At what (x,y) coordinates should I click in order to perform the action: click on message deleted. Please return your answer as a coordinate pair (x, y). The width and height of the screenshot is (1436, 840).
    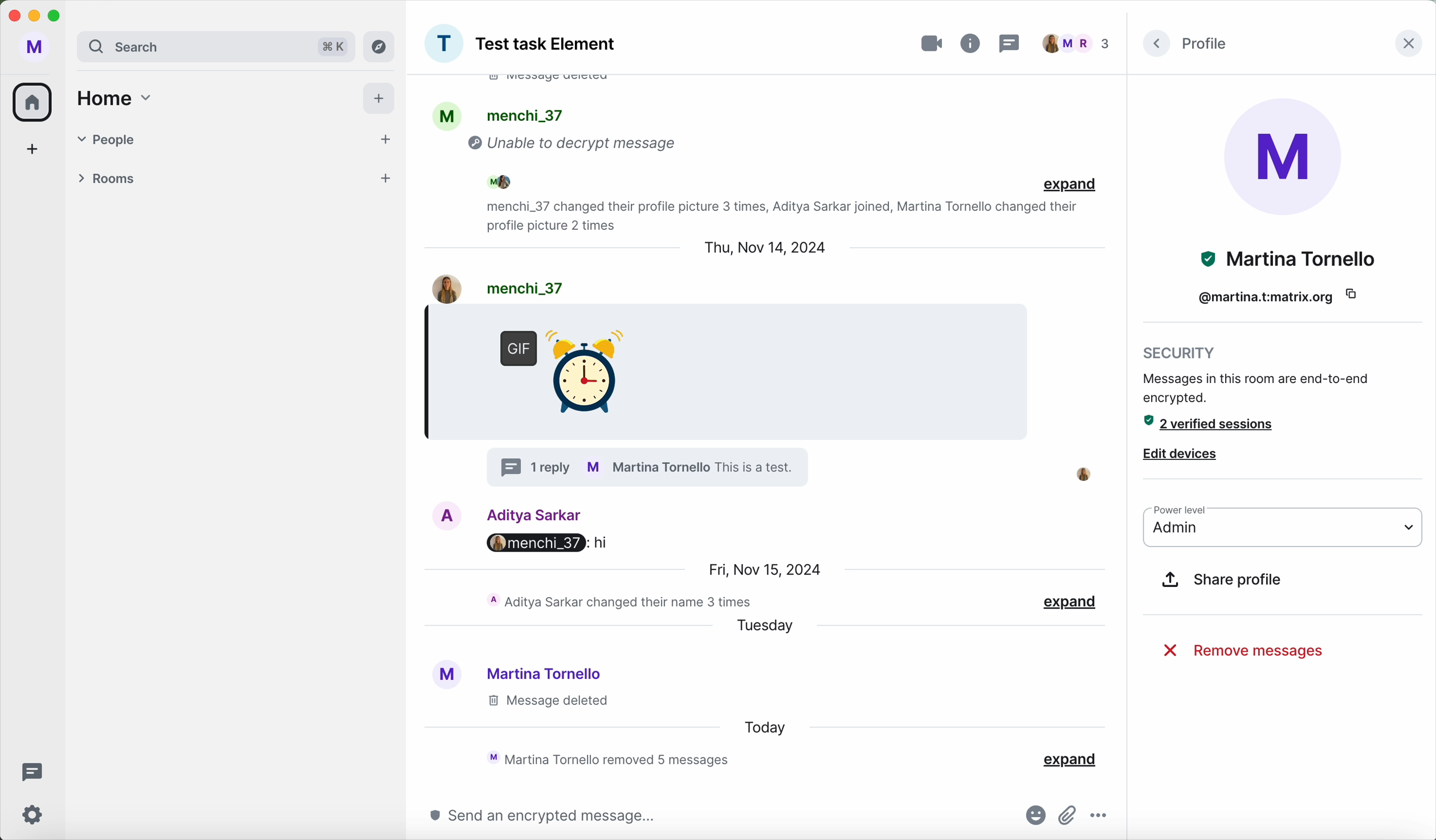
    Looking at the image, I should click on (561, 83).